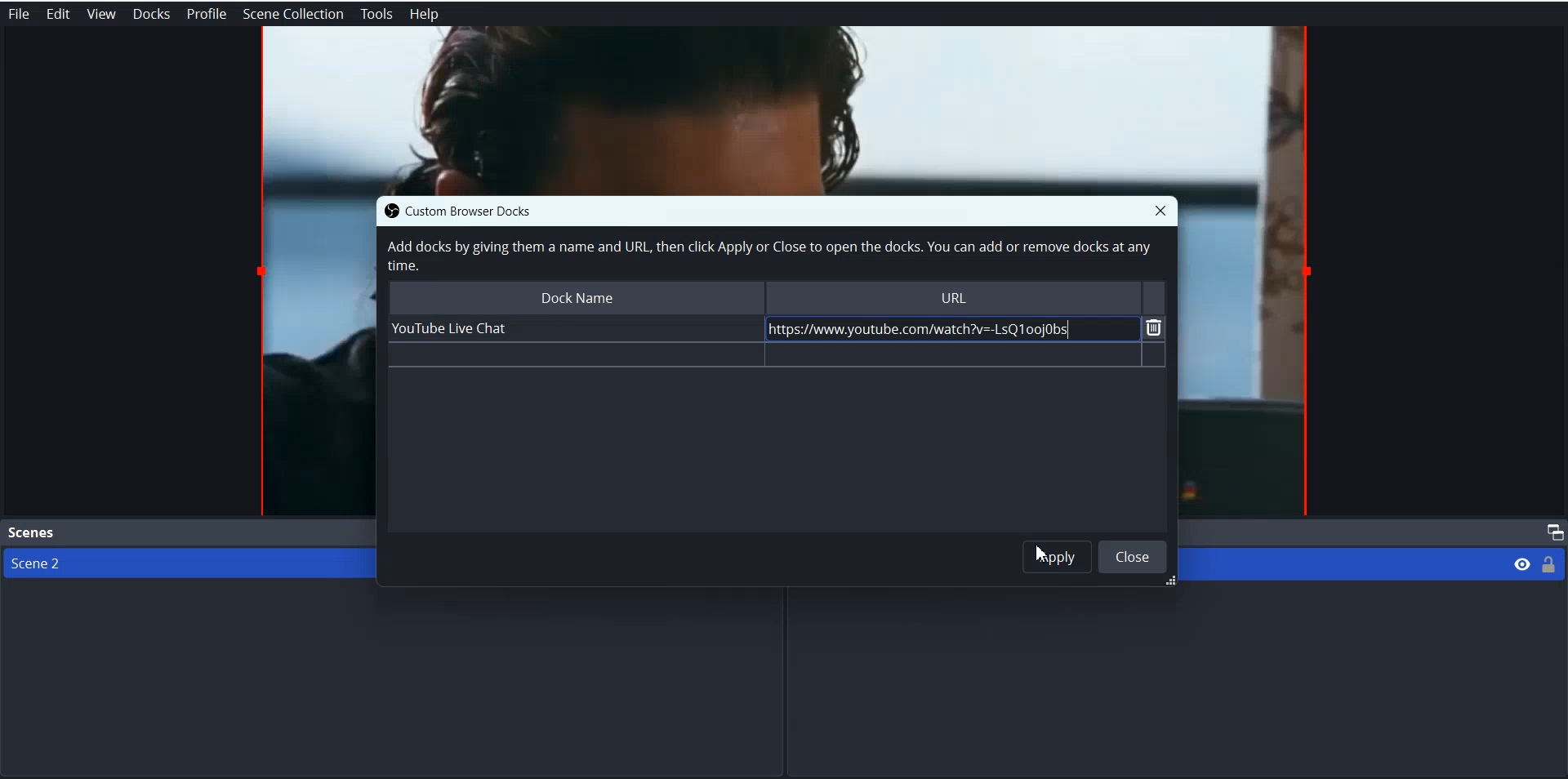  Describe the element at coordinates (767, 256) in the screenshot. I see `Add docks by giving them a name and URL, then click Apply or Close to open the docks. You can add or remove docks at any
time.` at that location.